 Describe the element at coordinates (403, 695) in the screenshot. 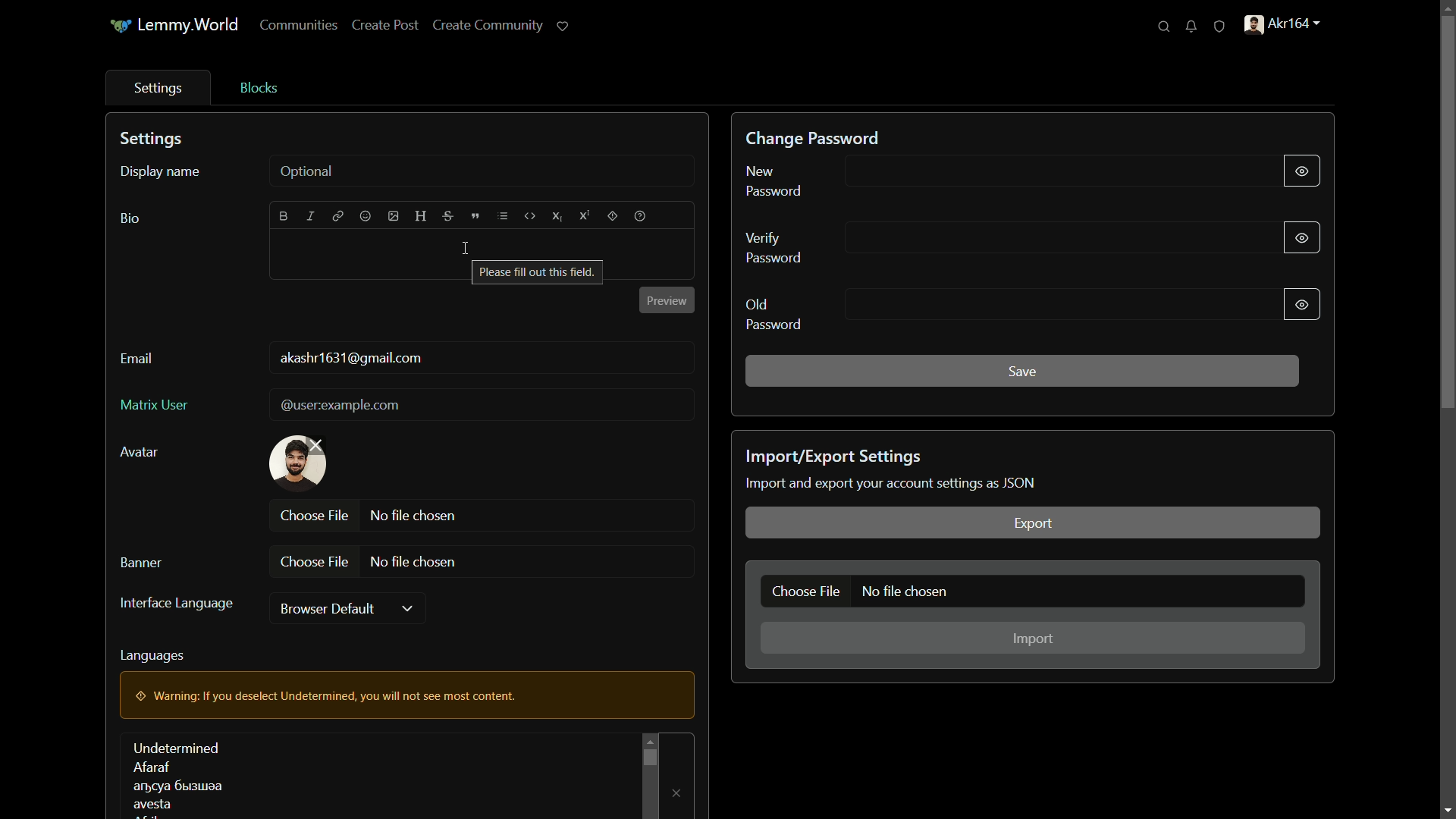

I see `warning pop up` at that location.